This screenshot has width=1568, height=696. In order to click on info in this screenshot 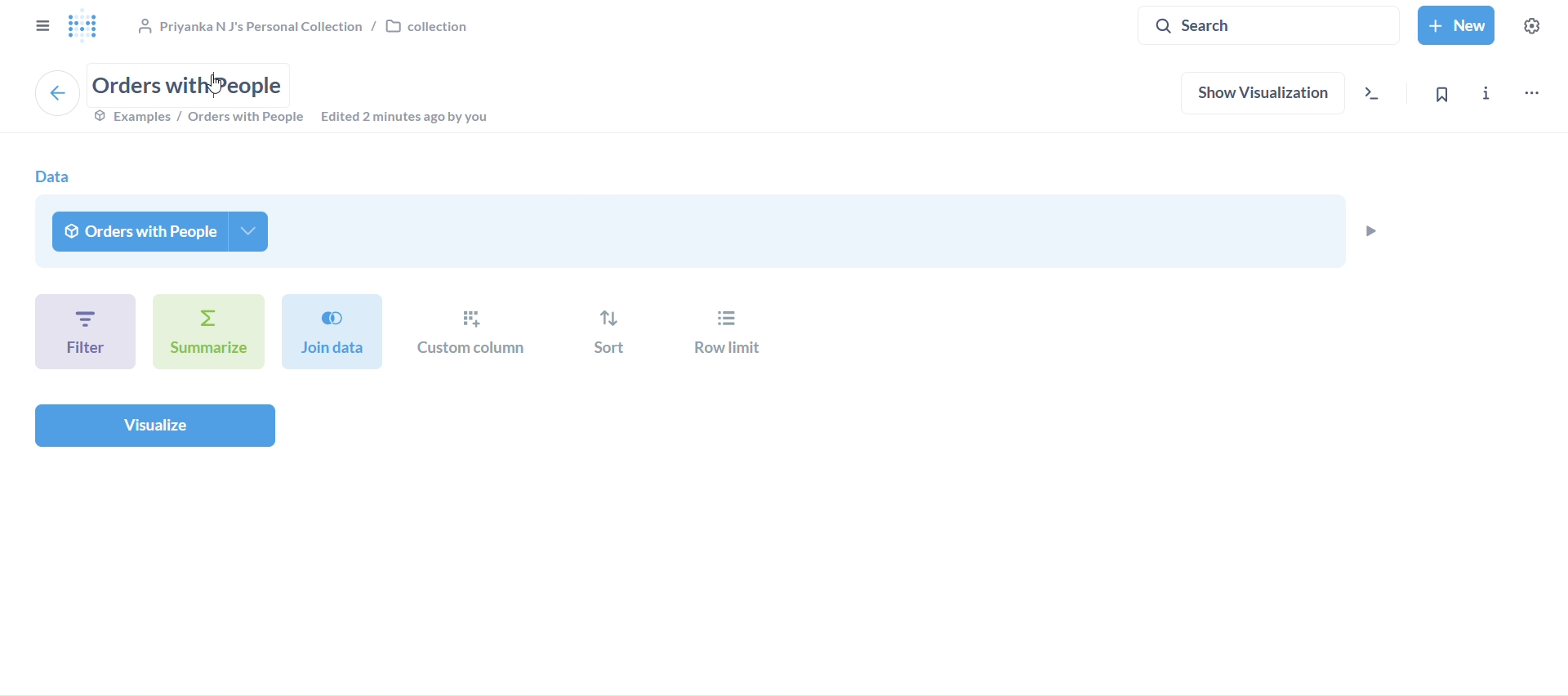, I will do `click(1490, 95)`.